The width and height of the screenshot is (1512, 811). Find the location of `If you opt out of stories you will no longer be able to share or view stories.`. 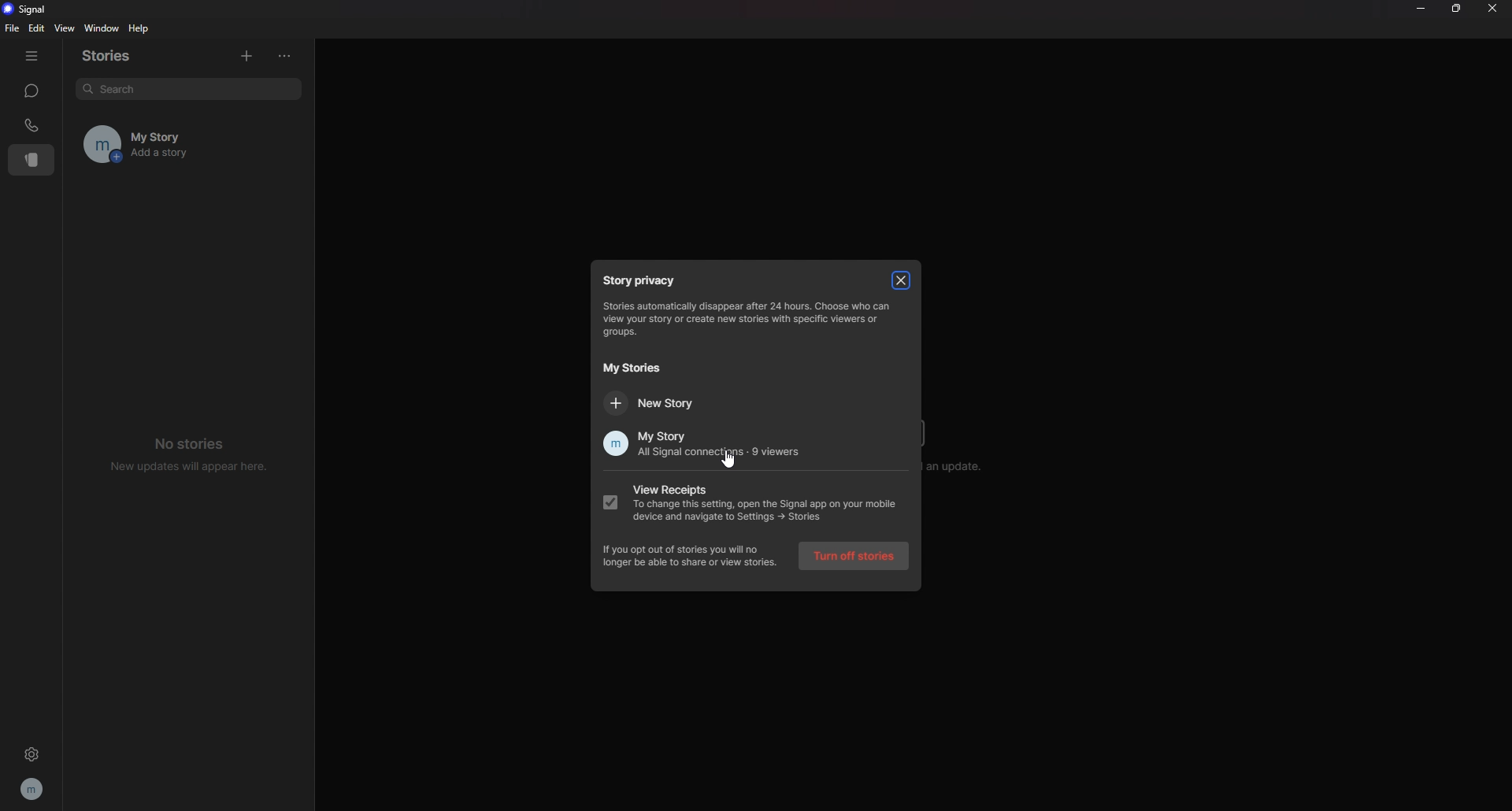

If you opt out of stories you will no longer be able to share or view stories. is located at coordinates (691, 557).